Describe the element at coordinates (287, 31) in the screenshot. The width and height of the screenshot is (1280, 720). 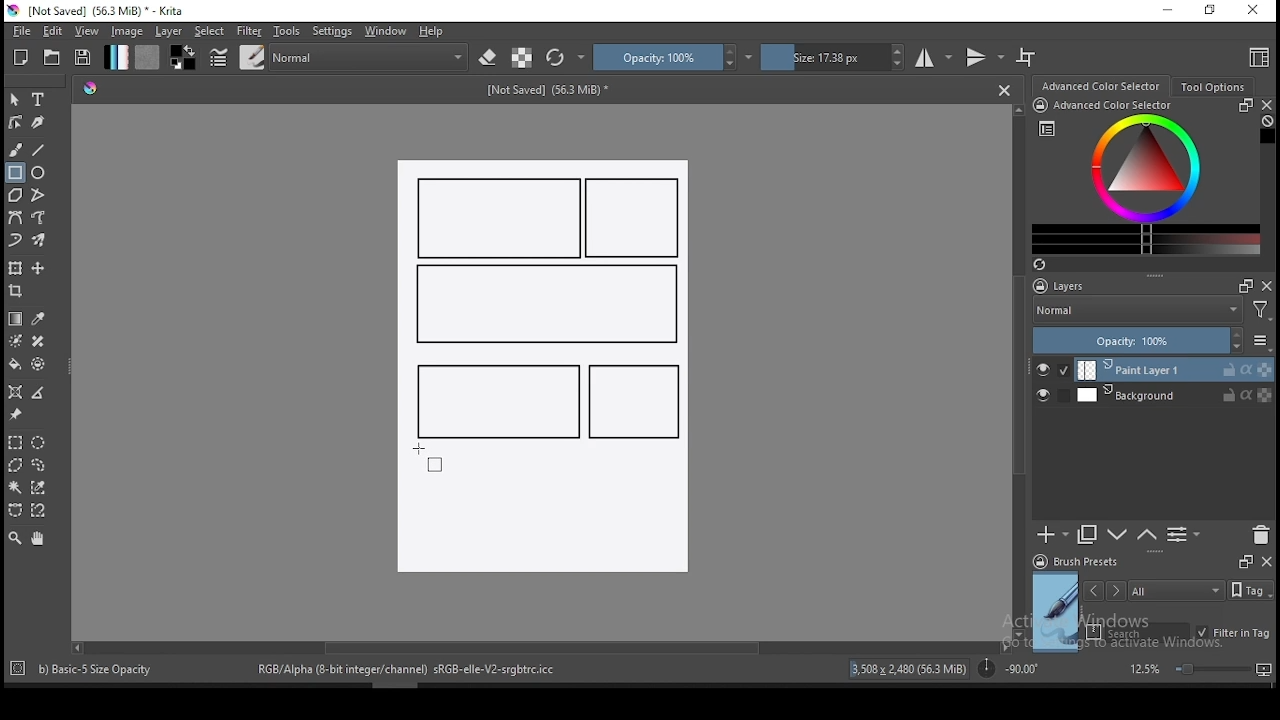
I see `tools` at that location.